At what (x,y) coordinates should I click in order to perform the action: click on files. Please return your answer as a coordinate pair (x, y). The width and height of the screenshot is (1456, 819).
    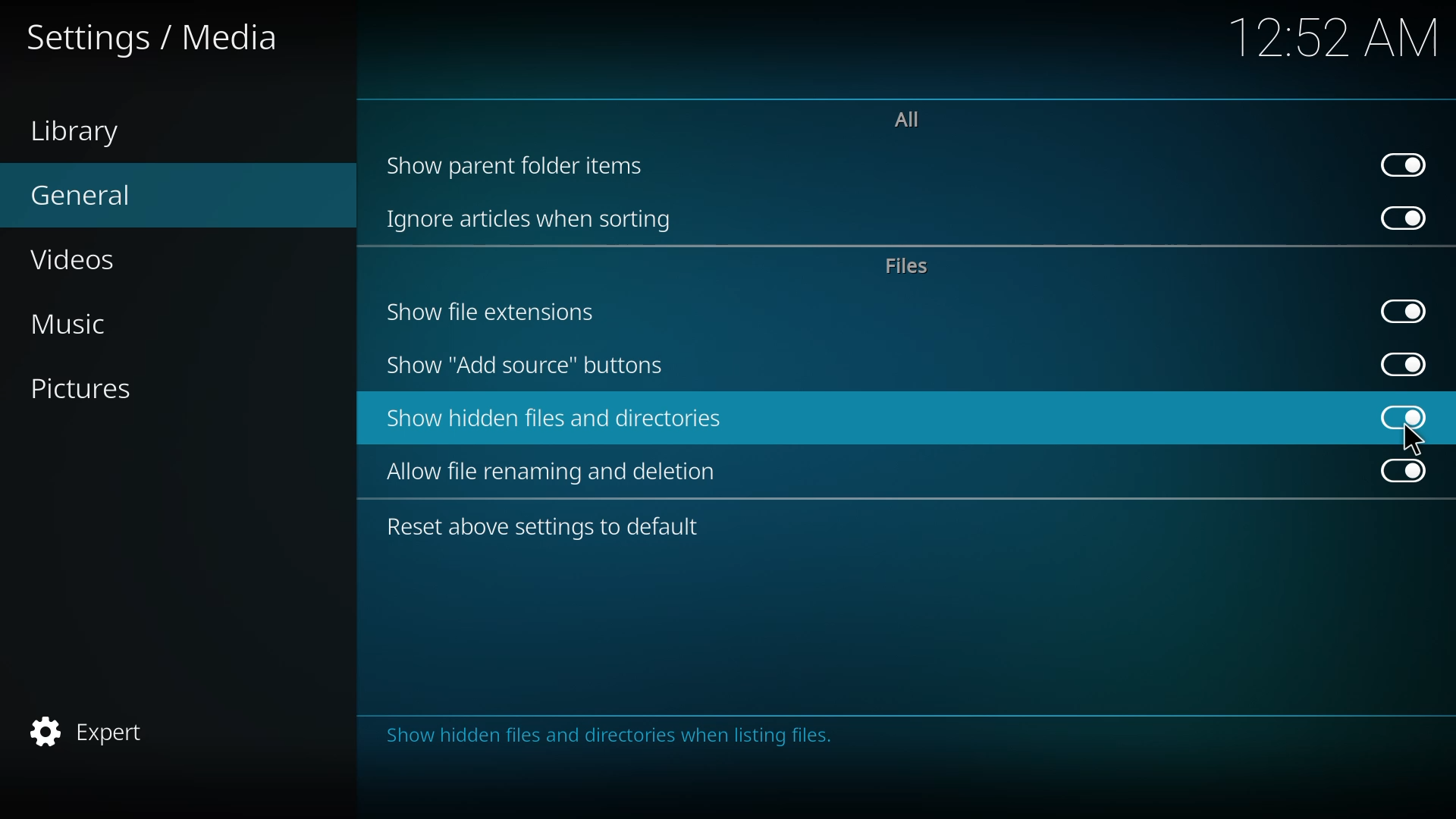
    Looking at the image, I should click on (912, 265).